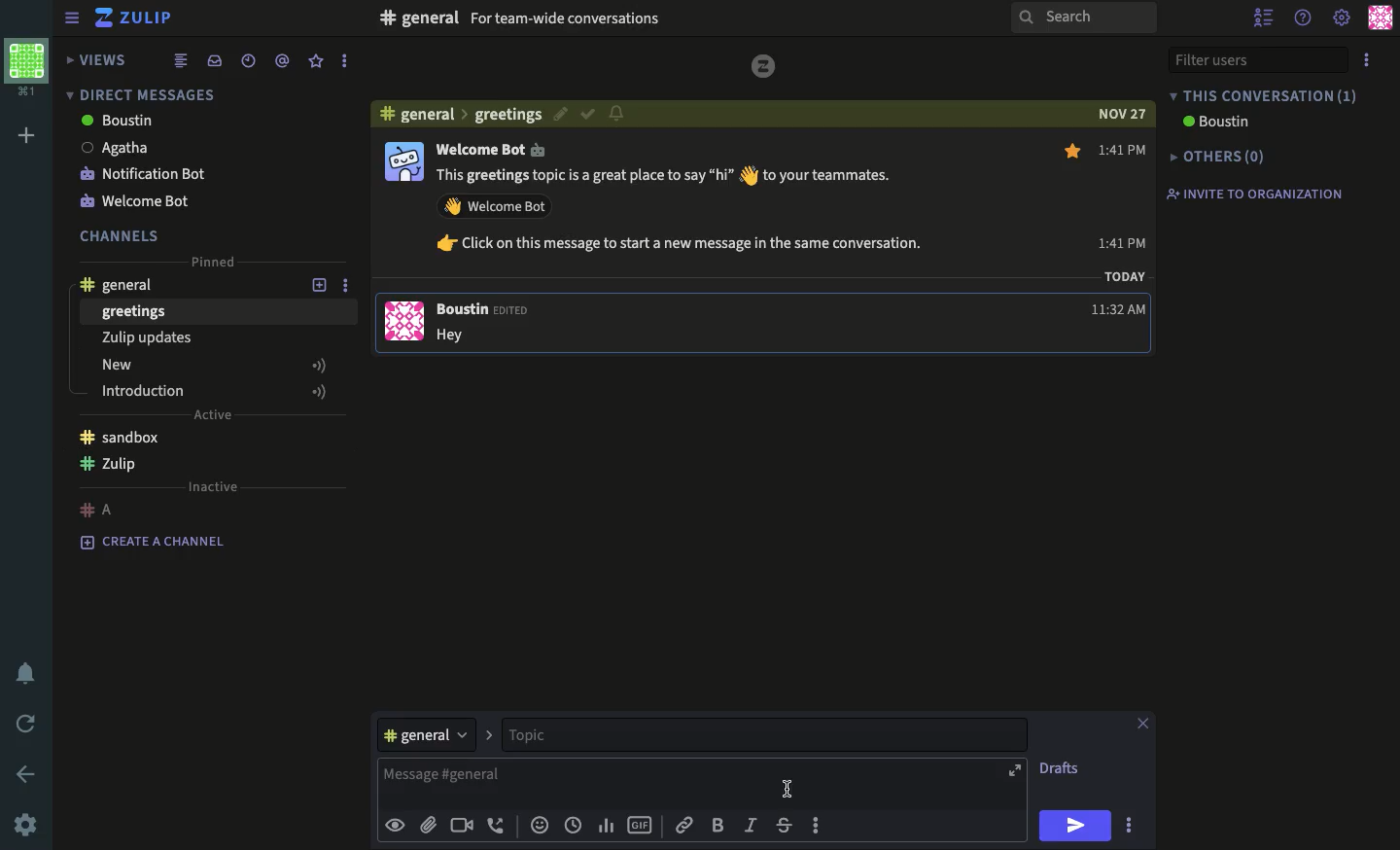 This screenshot has height=850, width=1400. What do you see at coordinates (1020, 769) in the screenshot?
I see `expand` at bounding box center [1020, 769].